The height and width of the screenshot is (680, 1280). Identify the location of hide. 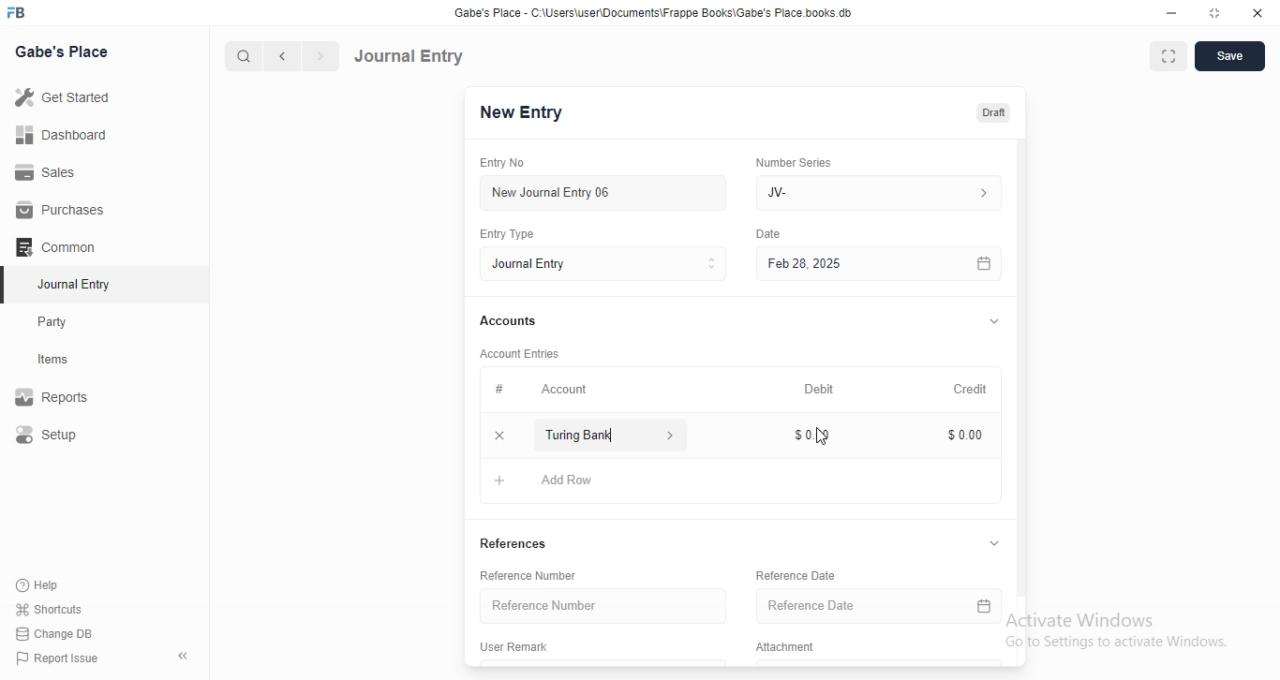
(179, 657).